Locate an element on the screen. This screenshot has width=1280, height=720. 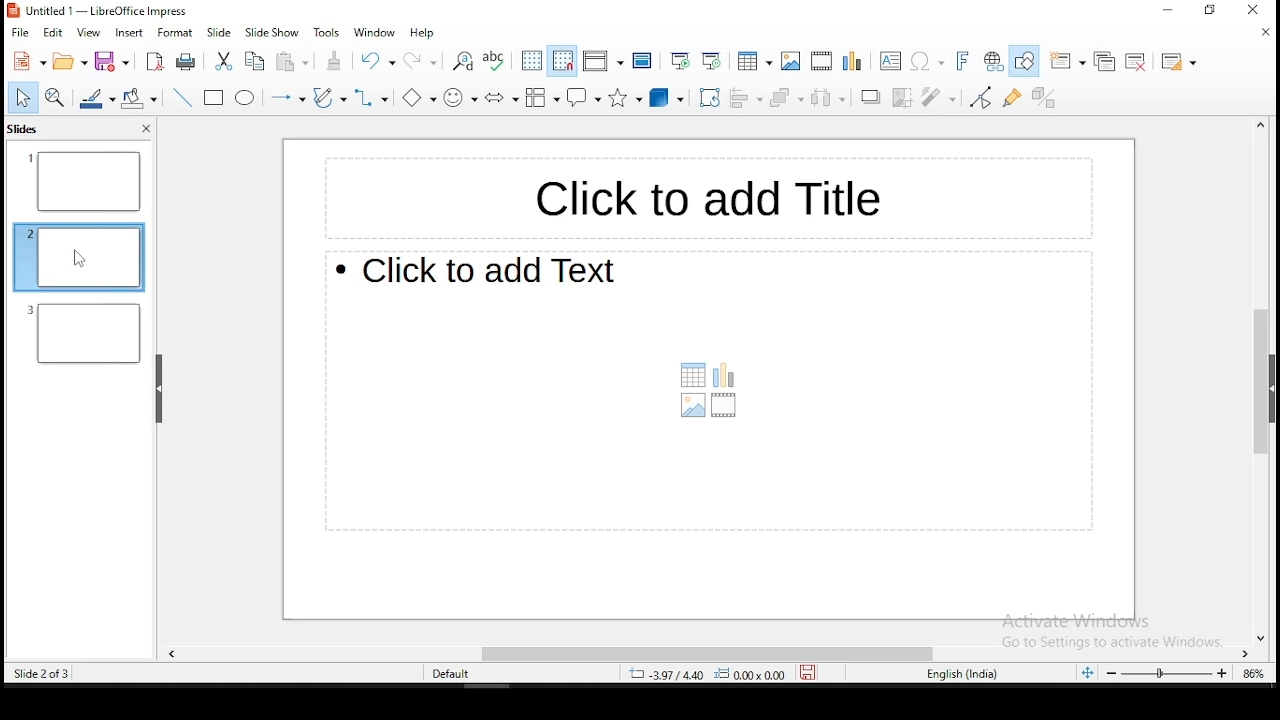
spell check is located at coordinates (494, 62).